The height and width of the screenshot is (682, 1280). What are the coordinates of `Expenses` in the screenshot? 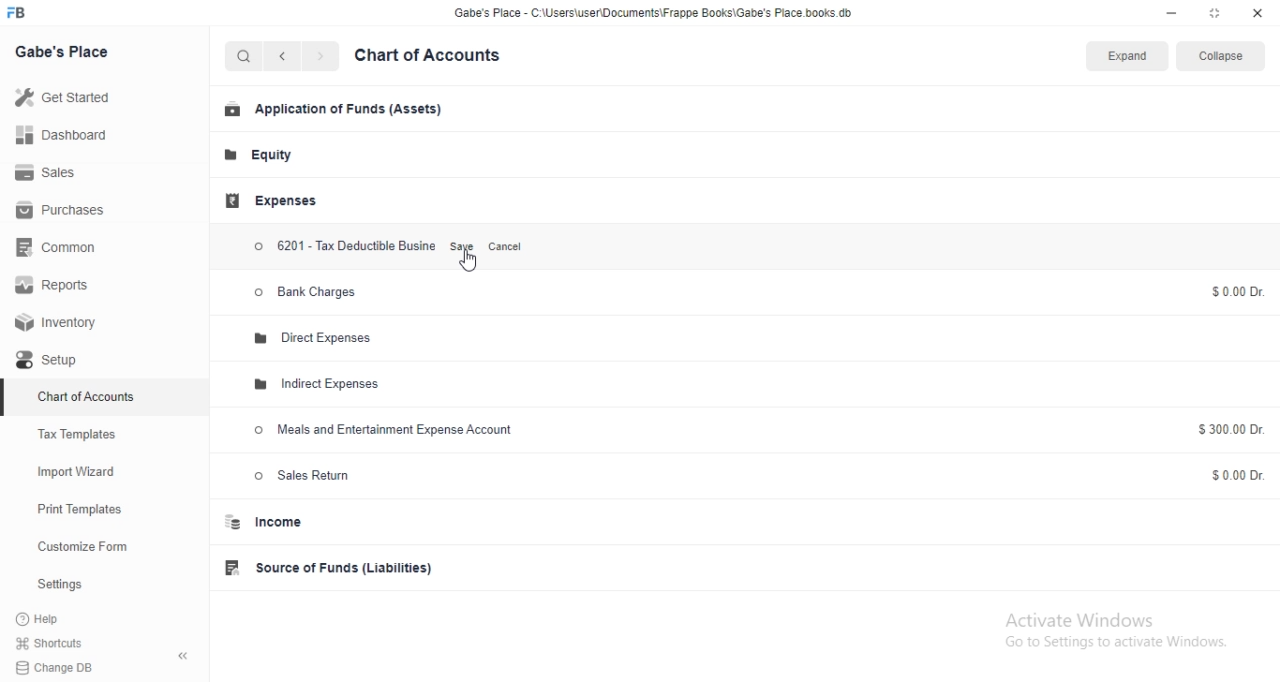 It's located at (272, 200).